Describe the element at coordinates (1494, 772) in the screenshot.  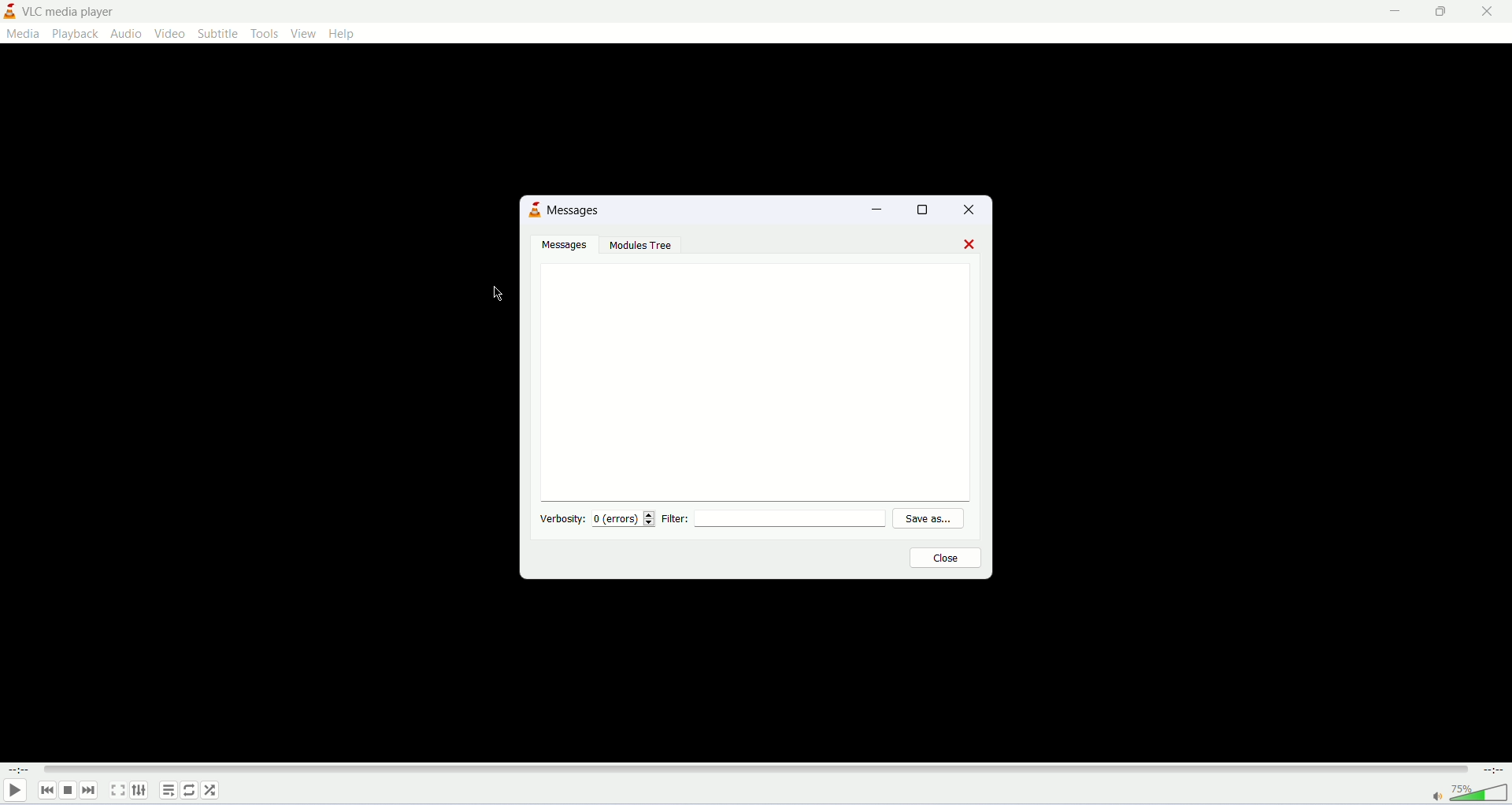
I see `total time` at that location.